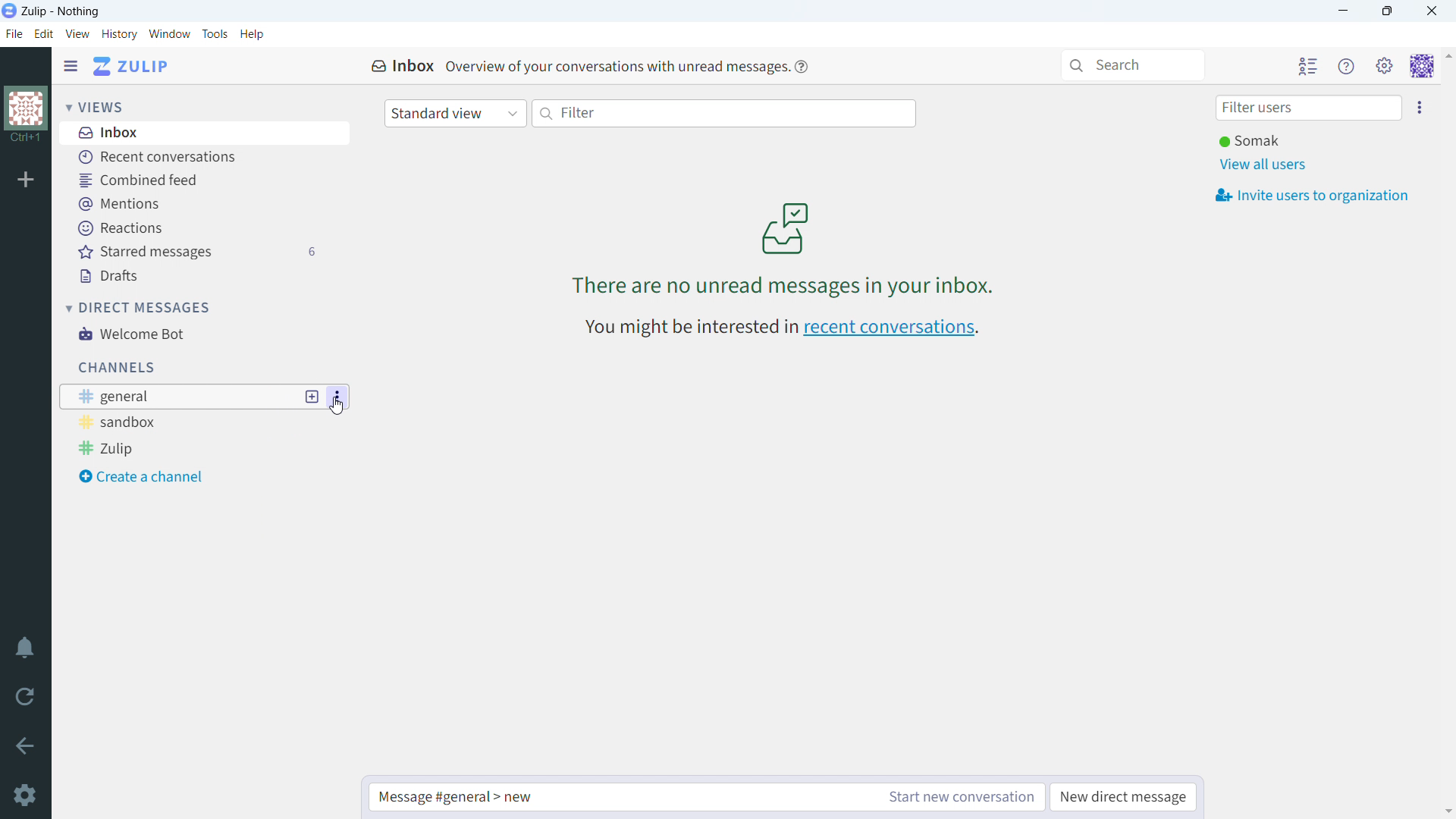  Describe the element at coordinates (1312, 195) in the screenshot. I see `invite users` at that location.